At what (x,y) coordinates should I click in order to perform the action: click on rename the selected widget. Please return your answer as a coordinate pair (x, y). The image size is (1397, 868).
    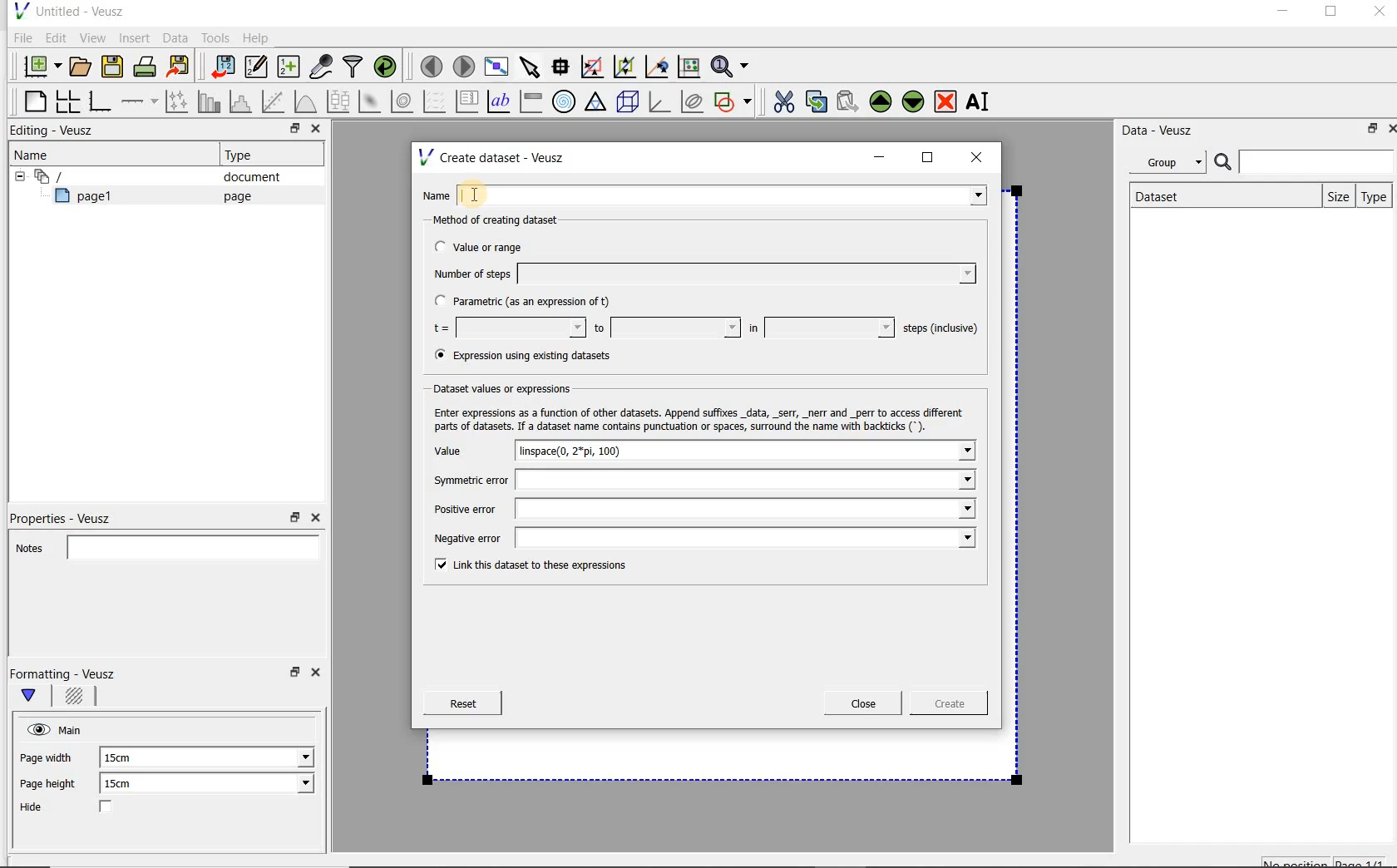
    Looking at the image, I should click on (981, 101).